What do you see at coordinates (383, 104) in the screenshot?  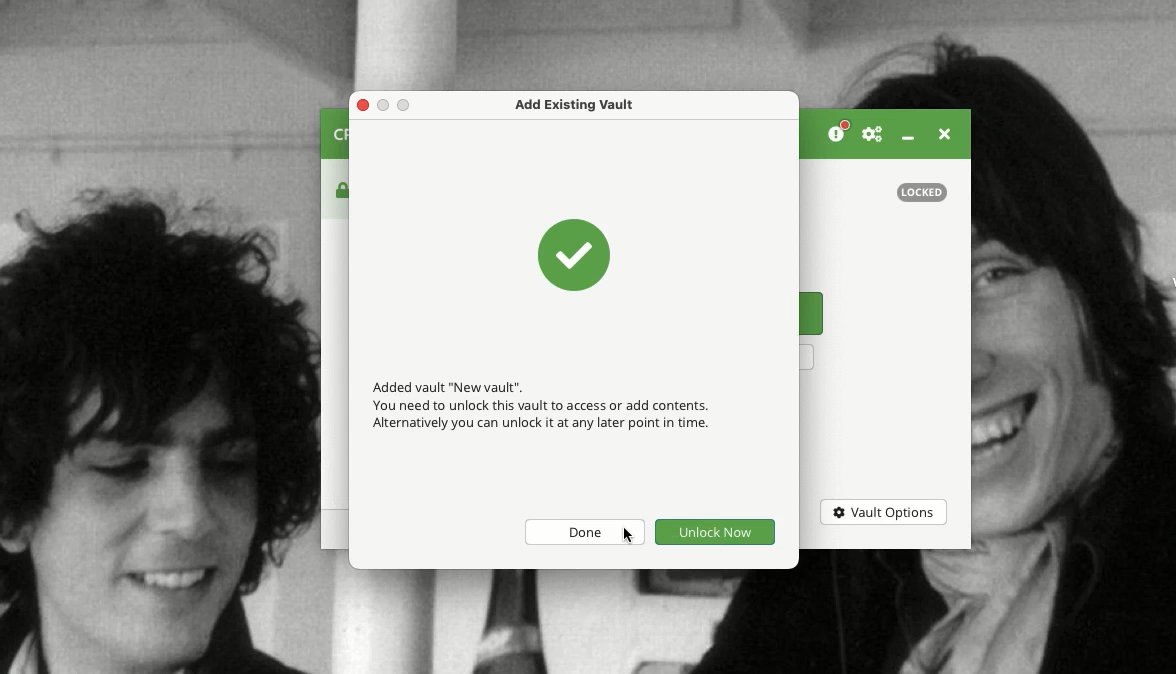 I see `maximize` at bounding box center [383, 104].